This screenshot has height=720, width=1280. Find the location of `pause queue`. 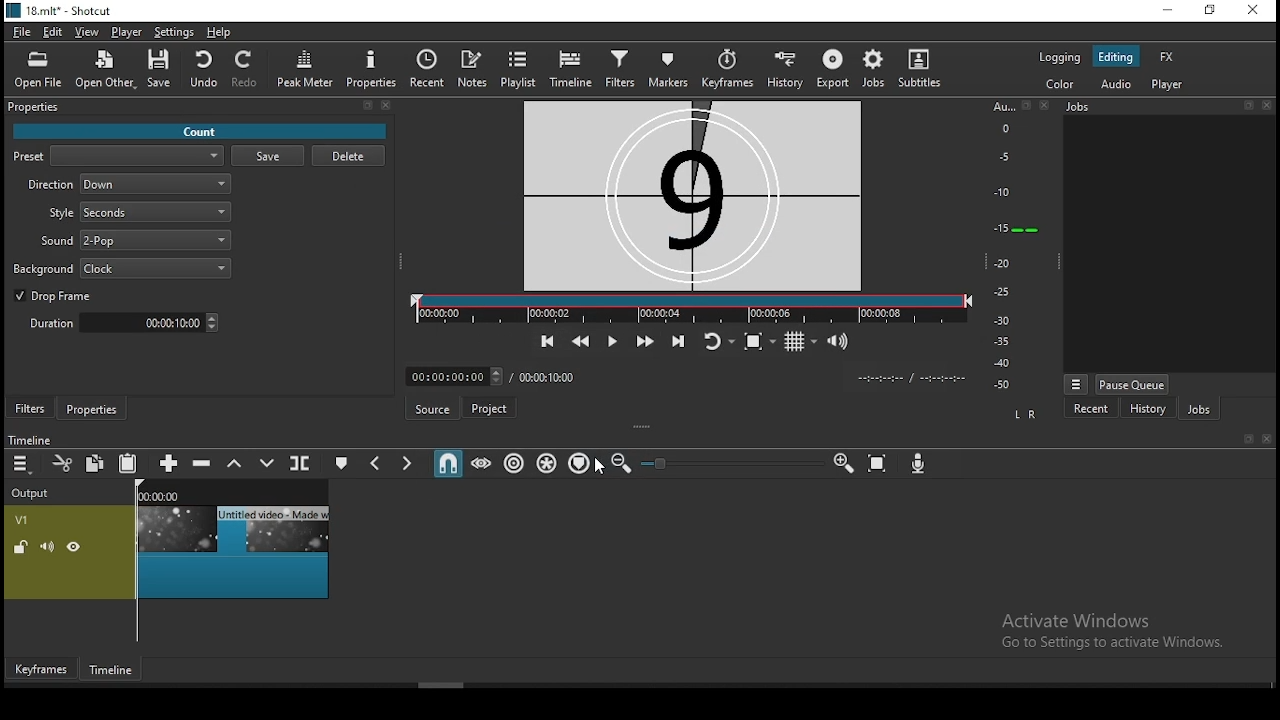

pause queue is located at coordinates (1133, 383).